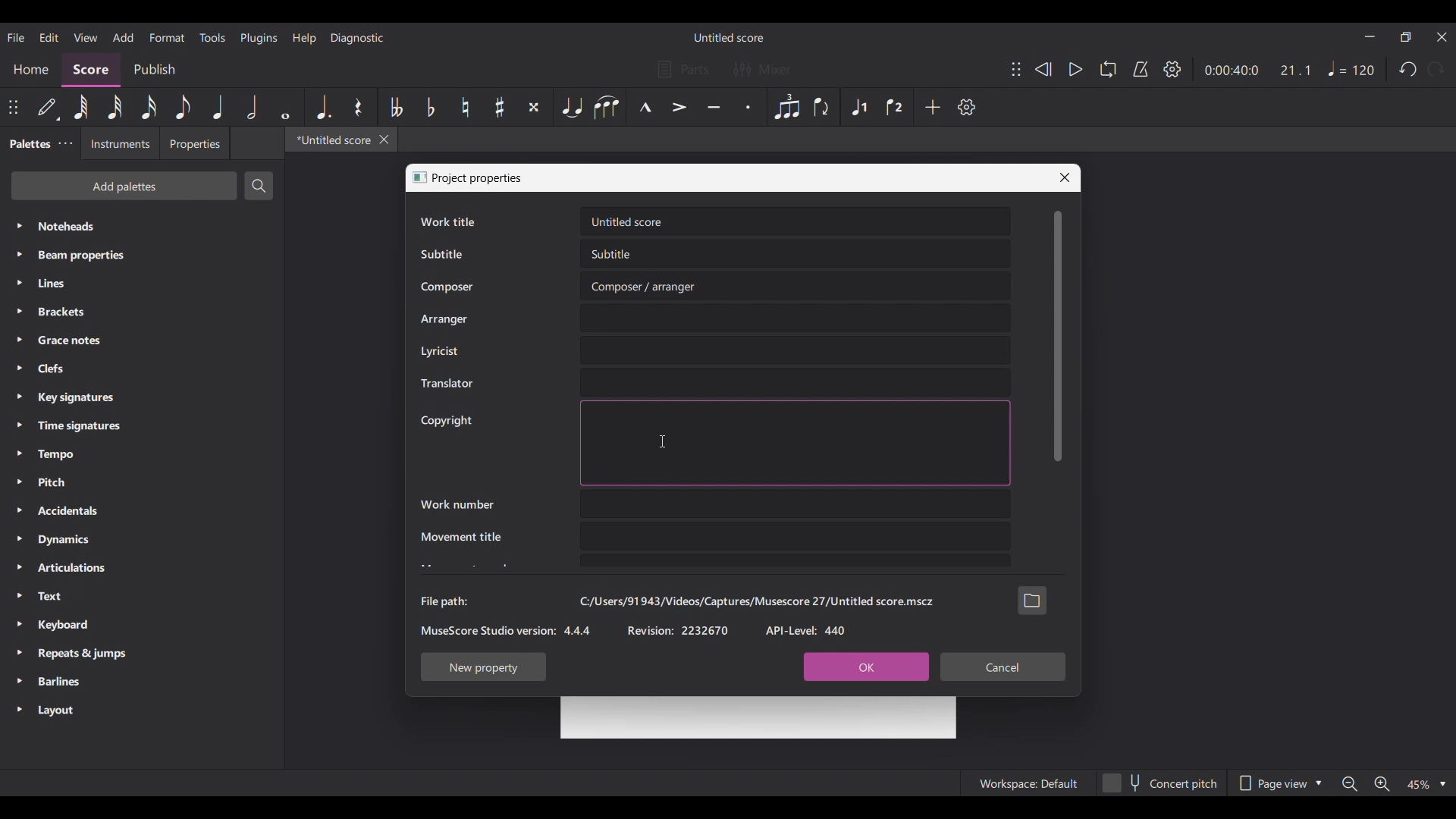 This screenshot has width=1456, height=819. Describe the element at coordinates (1027, 783) in the screenshot. I see `Workspace: Default` at that location.